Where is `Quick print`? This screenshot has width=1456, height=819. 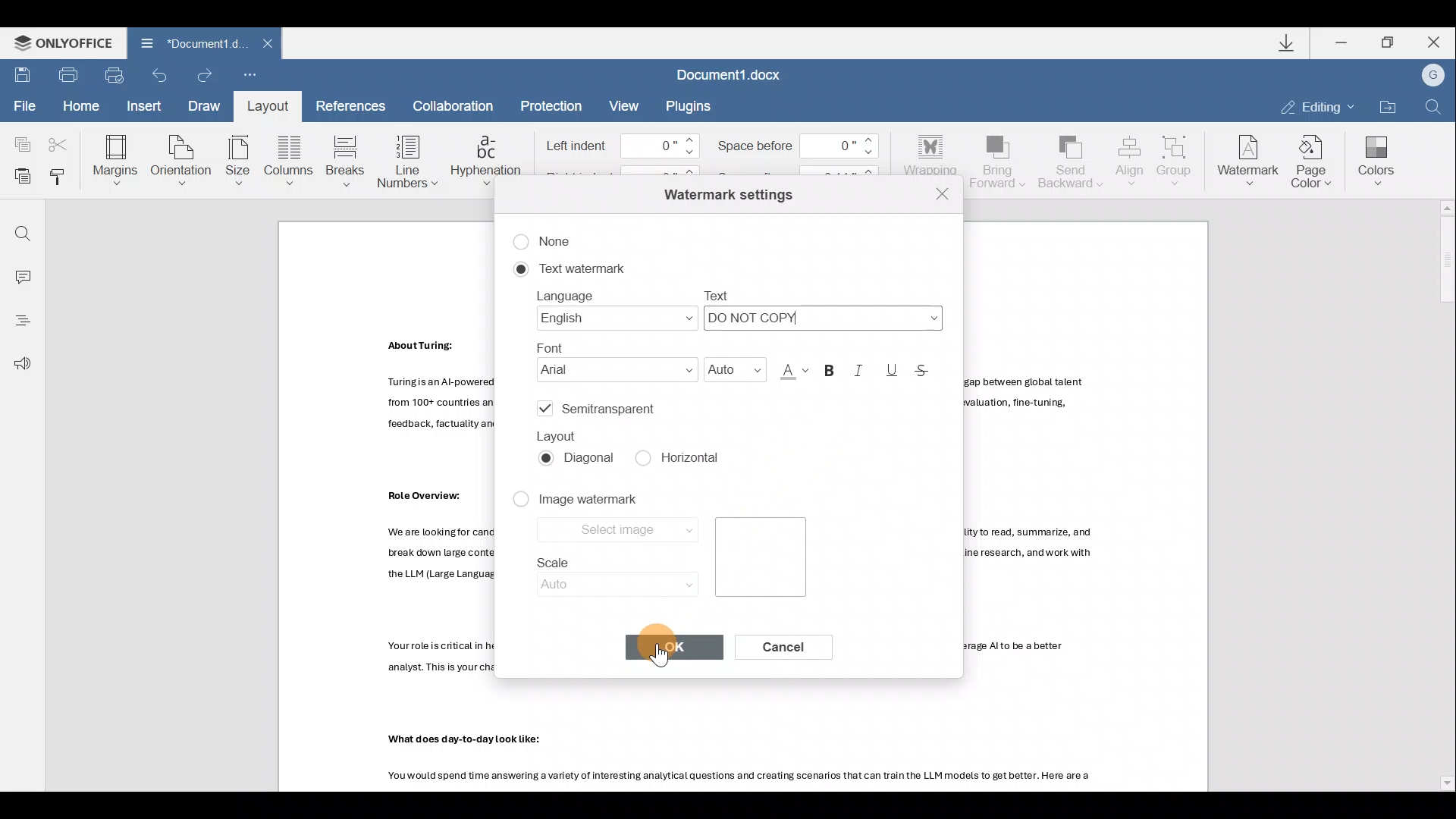 Quick print is located at coordinates (115, 74).